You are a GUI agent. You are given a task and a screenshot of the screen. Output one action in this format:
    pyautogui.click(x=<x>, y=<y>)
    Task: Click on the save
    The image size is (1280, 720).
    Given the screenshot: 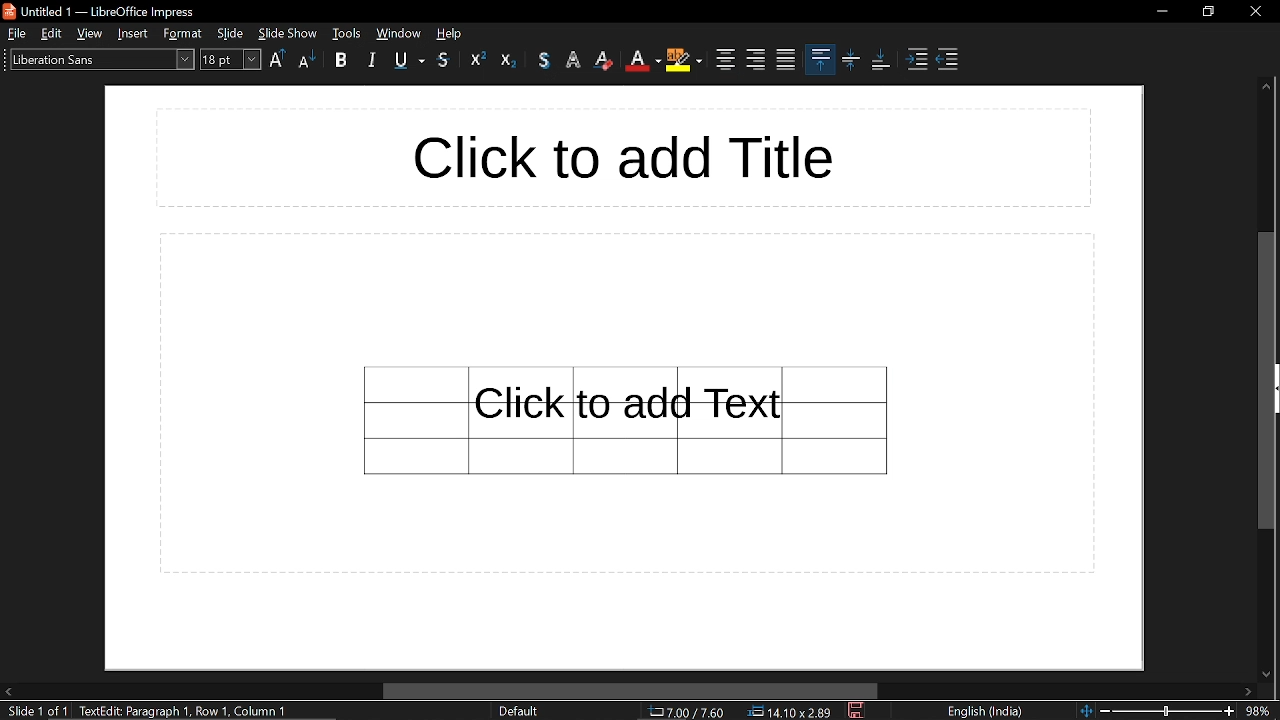 What is the action you would take?
    pyautogui.click(x=858, y=711)
    